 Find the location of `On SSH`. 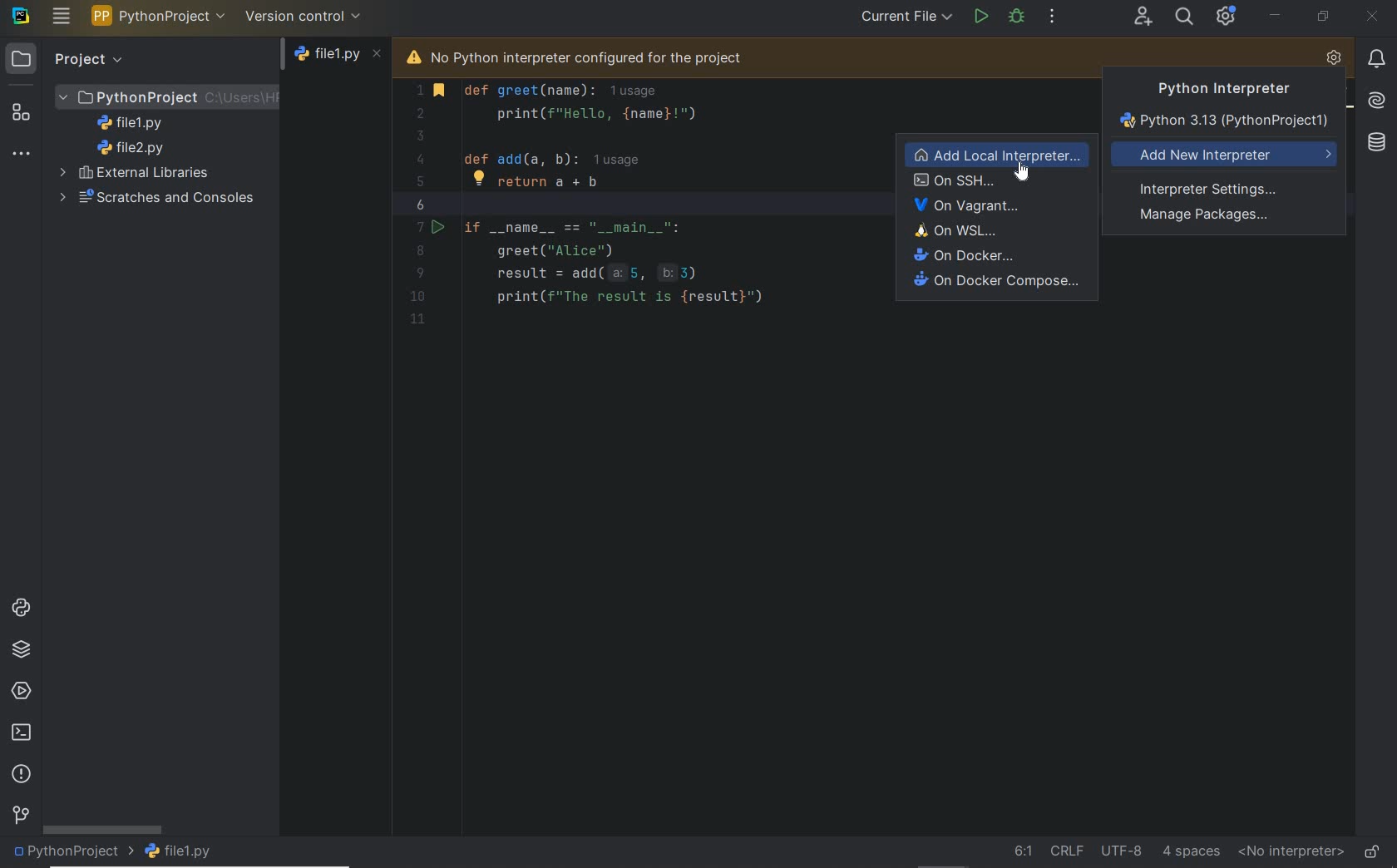

On SSH is located at coordinates (998, 182).